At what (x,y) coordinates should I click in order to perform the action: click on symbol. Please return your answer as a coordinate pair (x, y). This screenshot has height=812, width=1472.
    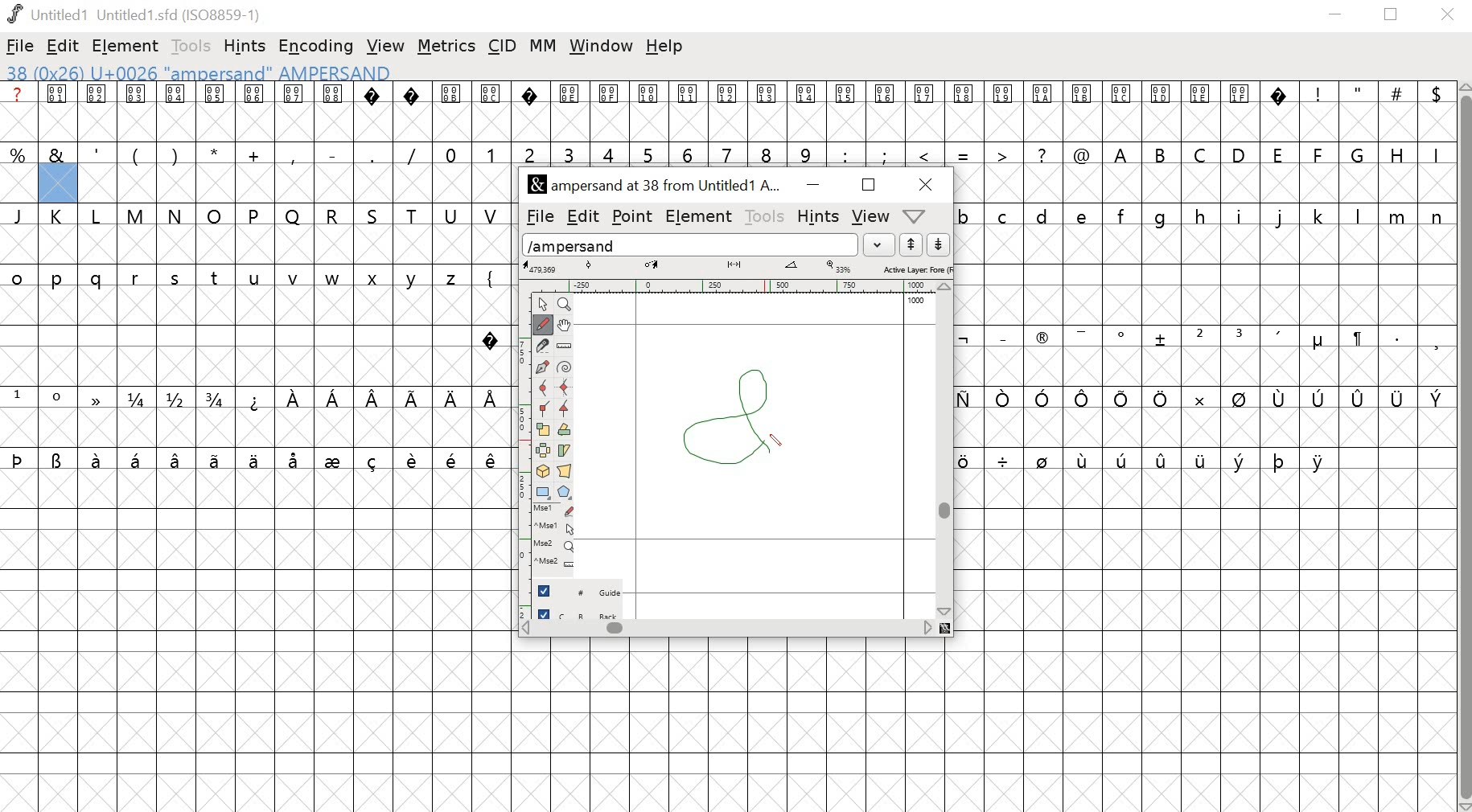
    Looking at the image, I should click on (1043, 397).